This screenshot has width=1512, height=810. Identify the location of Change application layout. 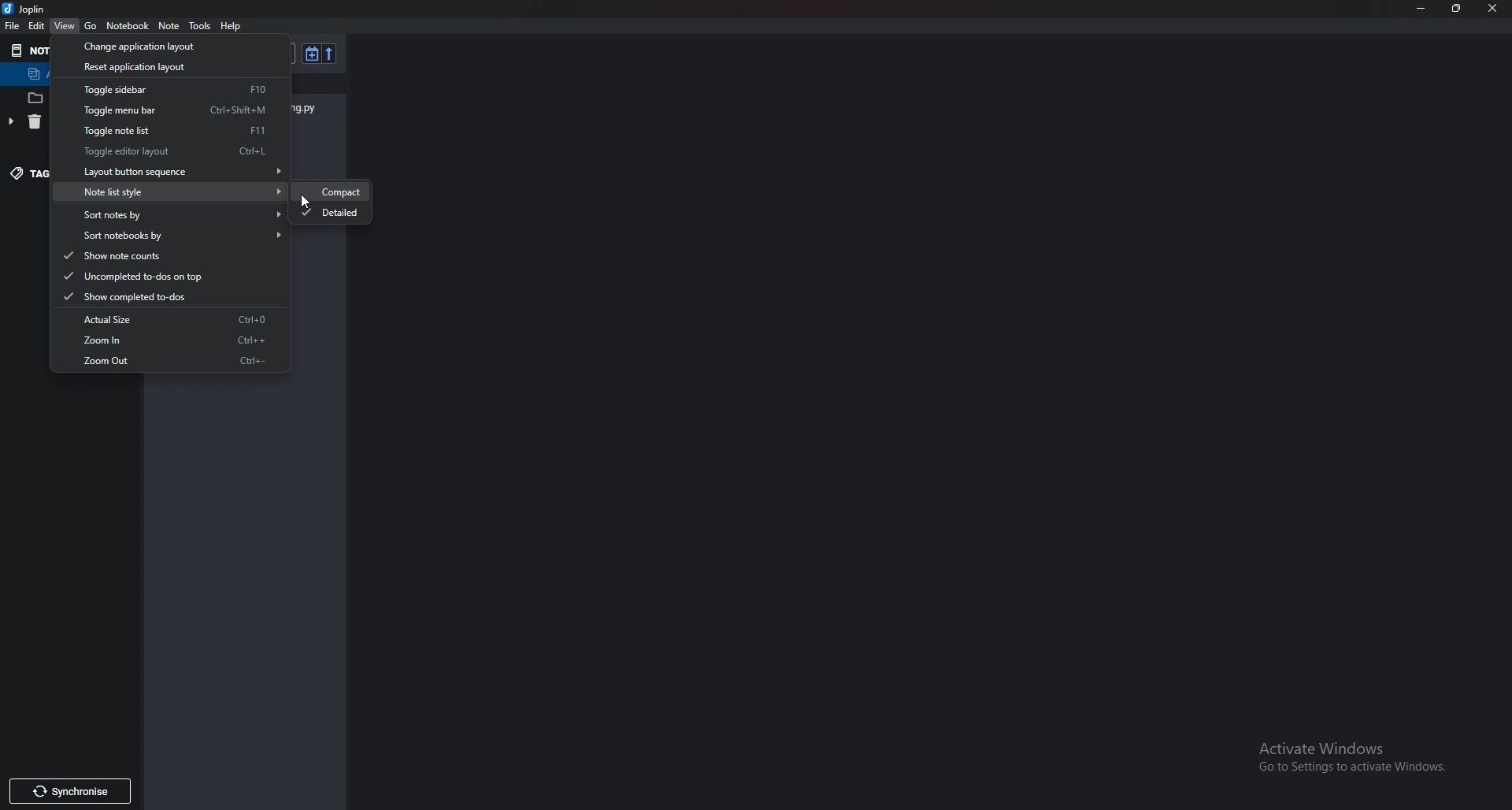
(165, 46).